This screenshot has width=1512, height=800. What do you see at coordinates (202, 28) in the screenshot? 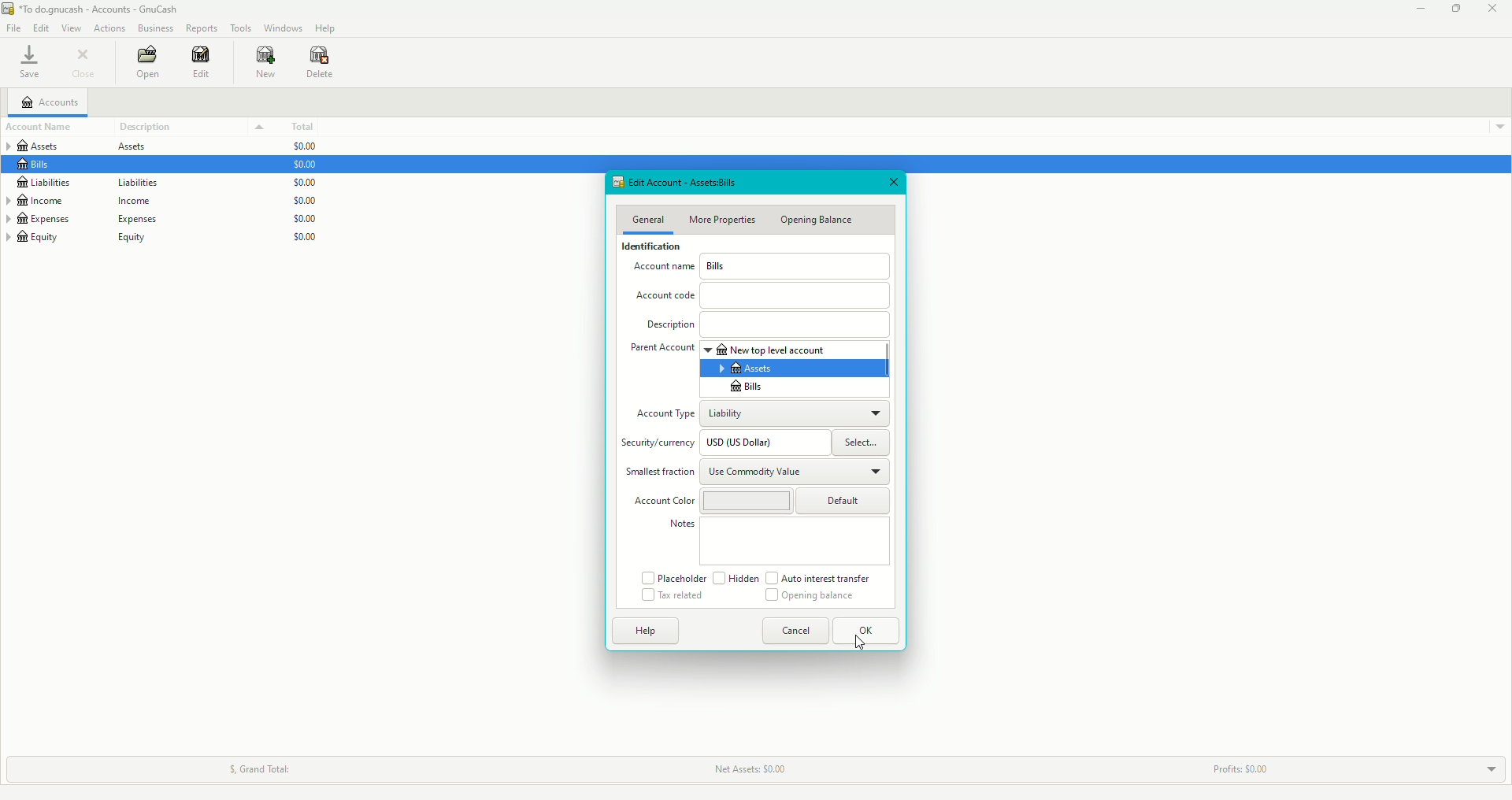
I see `Reports` at bounding box center [202, 28].